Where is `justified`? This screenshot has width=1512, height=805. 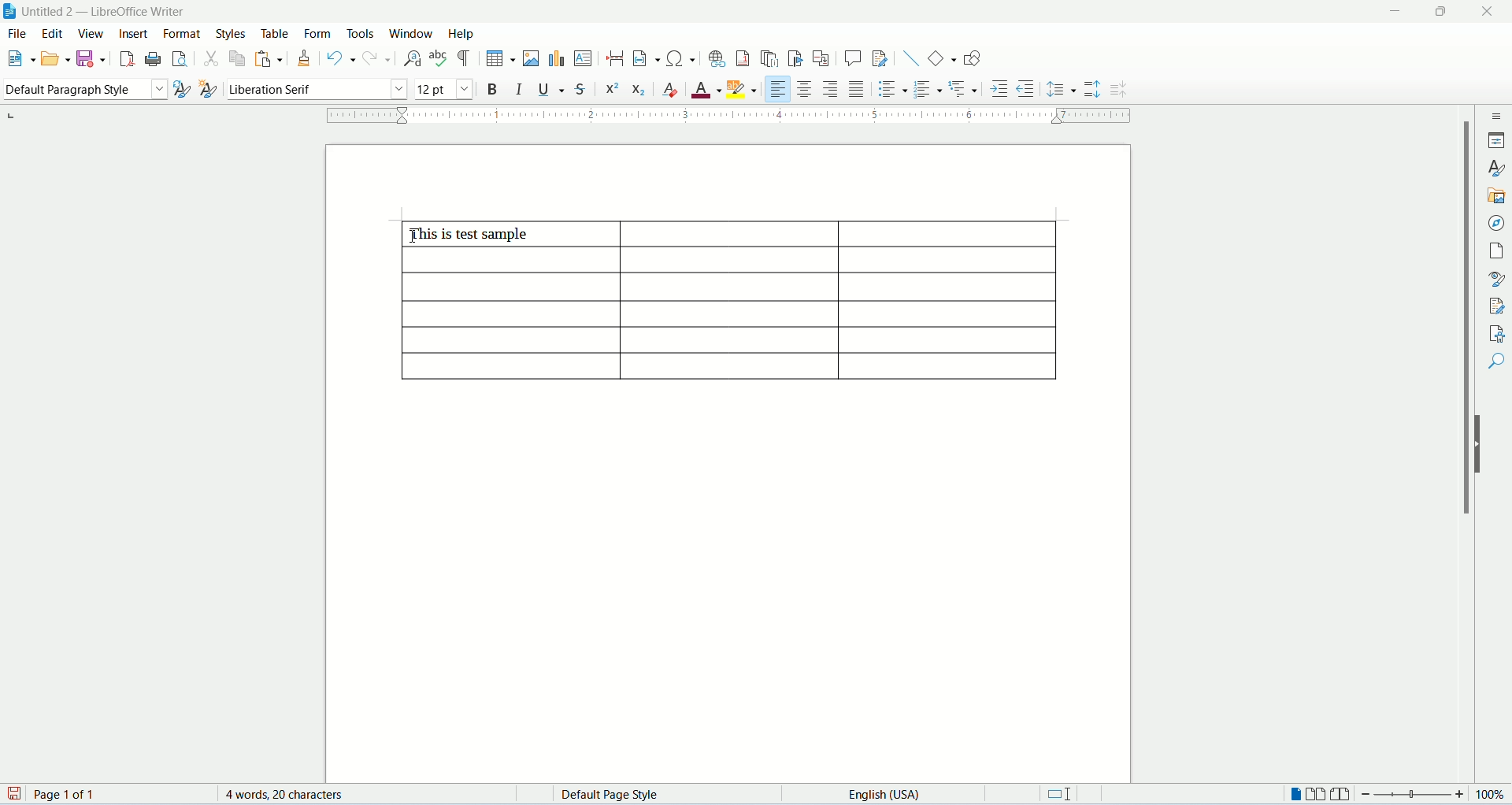 justified is located at coordinates (859, 87).